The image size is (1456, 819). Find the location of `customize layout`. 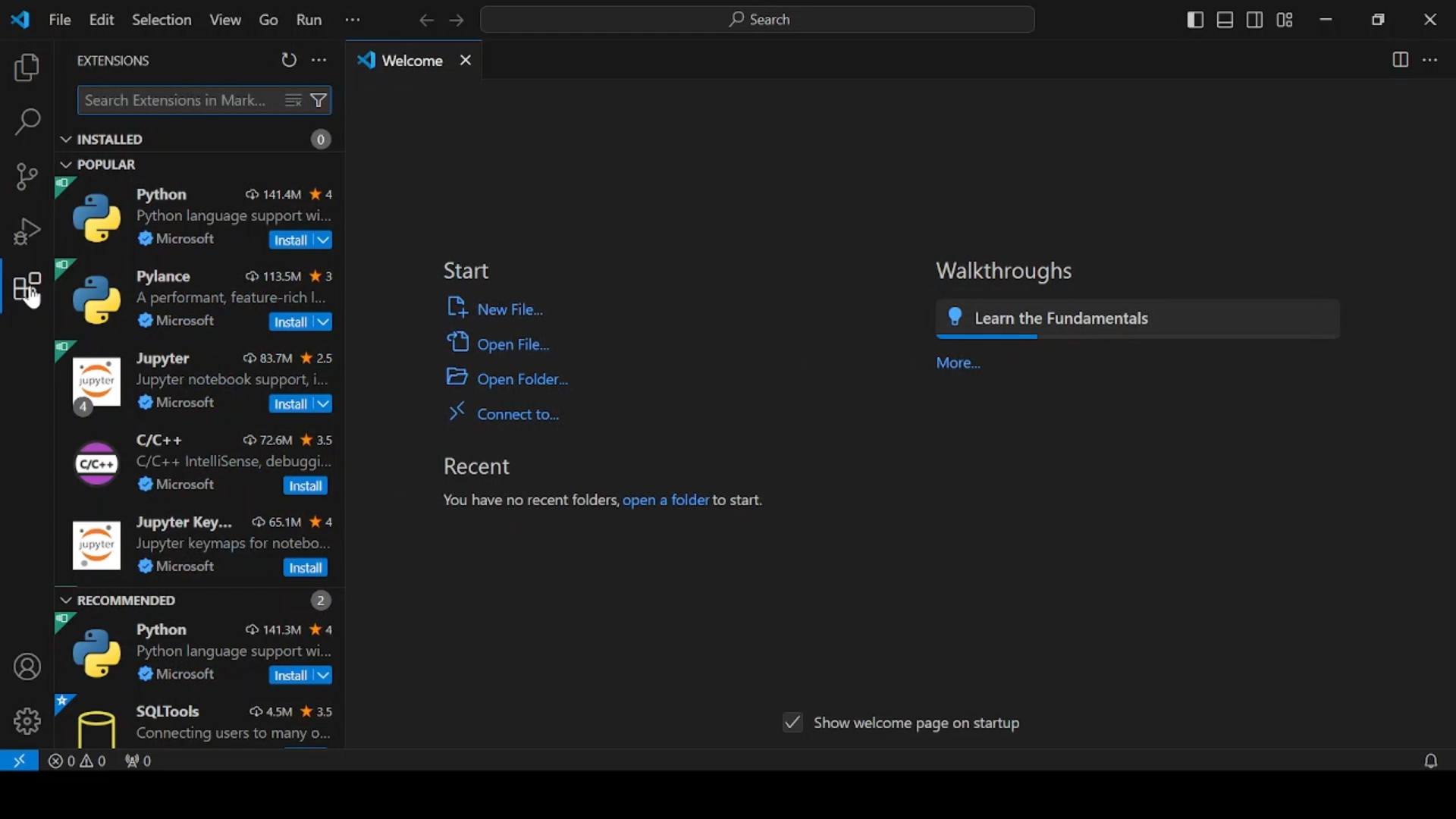

customize layout is located at coordinates (1287, 18).